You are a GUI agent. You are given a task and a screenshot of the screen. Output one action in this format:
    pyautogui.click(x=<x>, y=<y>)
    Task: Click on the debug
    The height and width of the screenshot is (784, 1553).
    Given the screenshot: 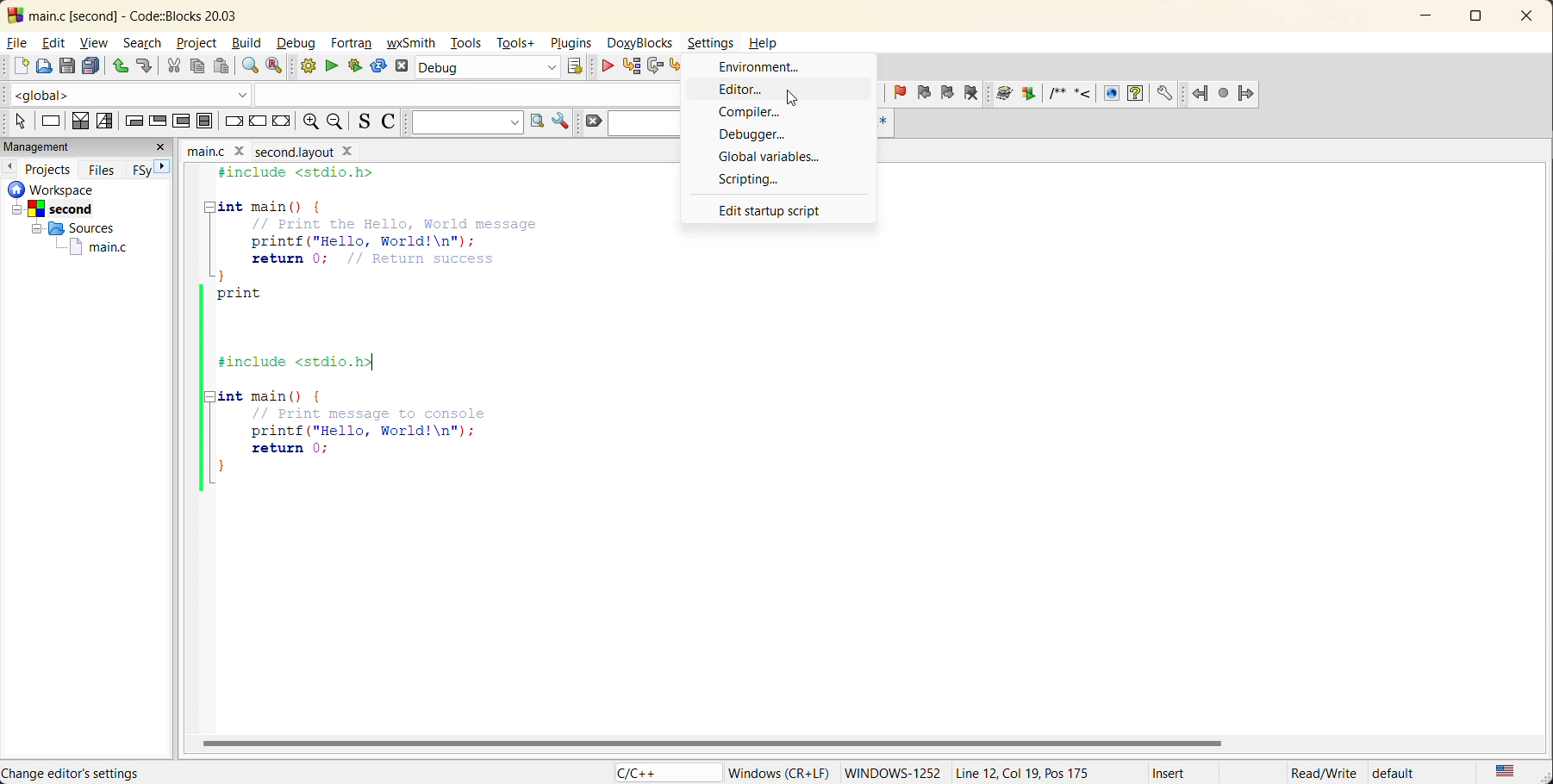 What is the action you would take?
    pyautogui.click(x=297, y=44)
    